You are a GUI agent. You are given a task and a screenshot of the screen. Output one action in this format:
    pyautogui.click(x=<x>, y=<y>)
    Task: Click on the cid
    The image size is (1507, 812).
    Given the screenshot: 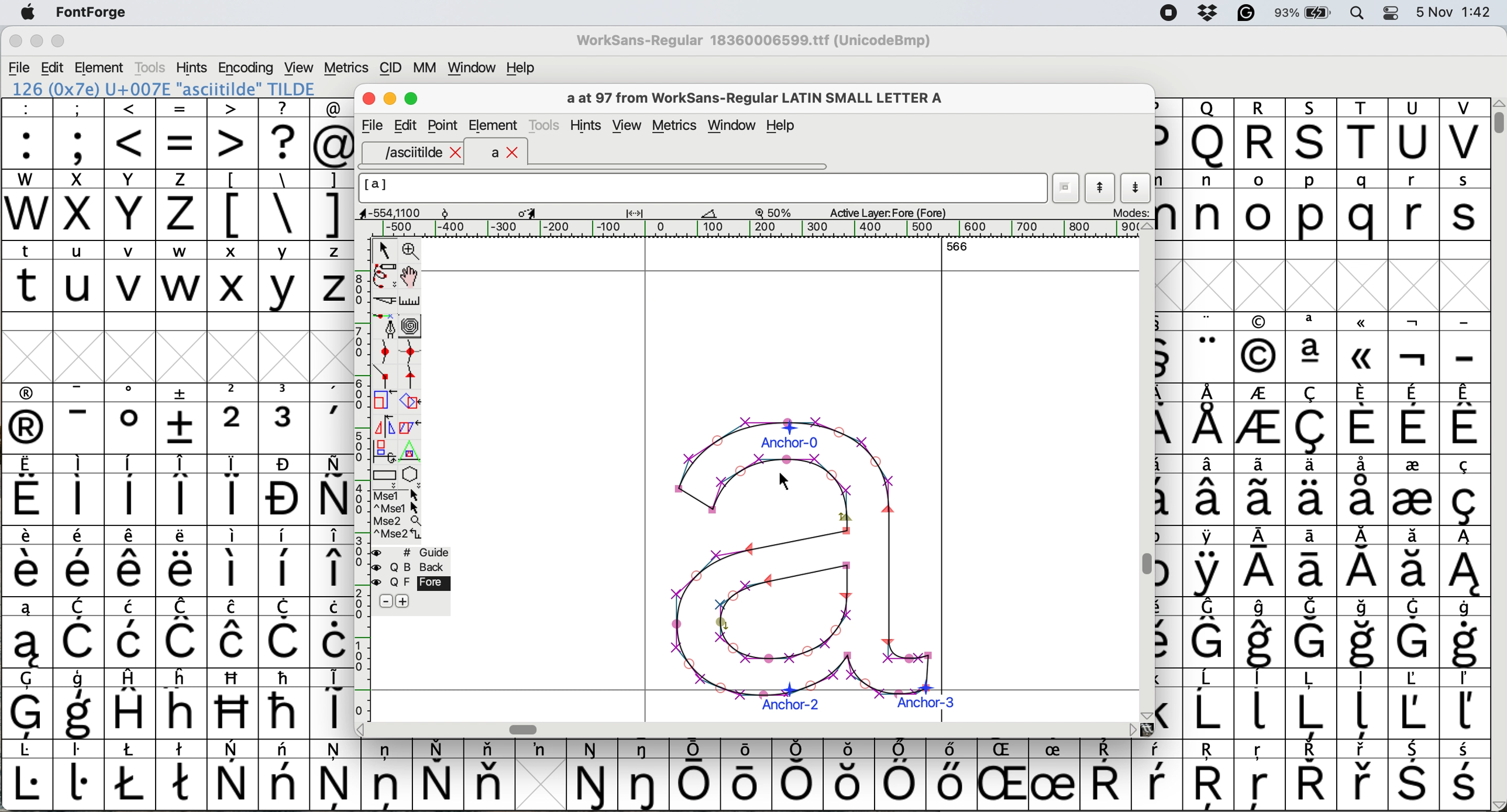 What is the action you would take?
    pyautogui.click(x=389, y=68)
    